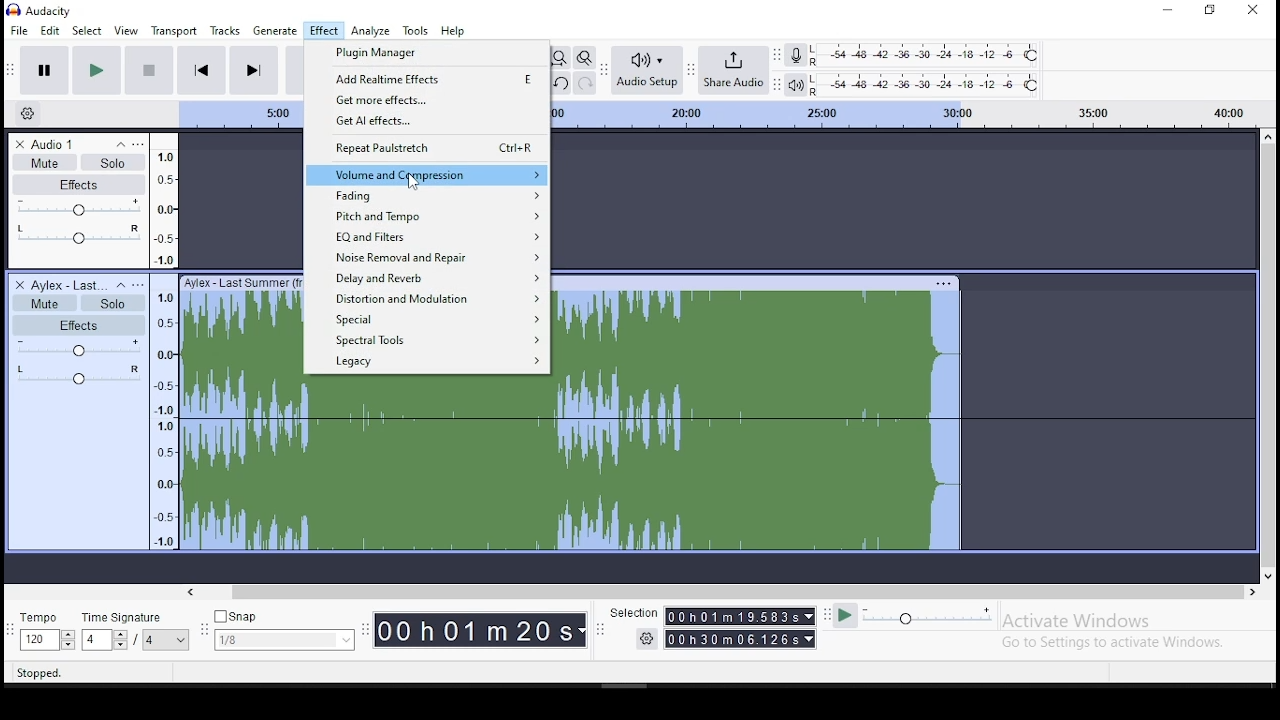  I want to click on select, so click(88, 30).